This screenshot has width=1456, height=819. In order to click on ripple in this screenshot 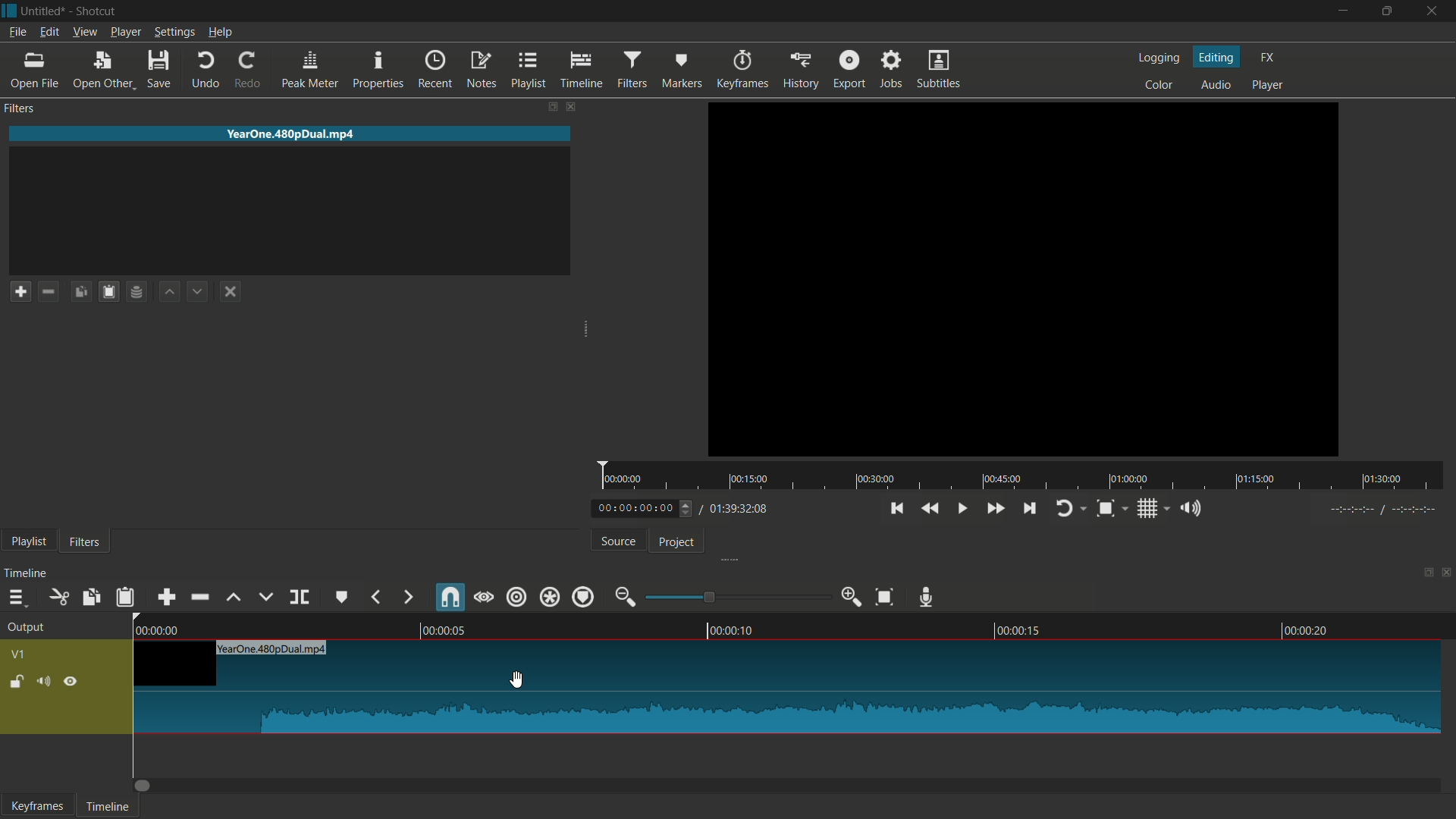, I will do `click(517, 597)`.